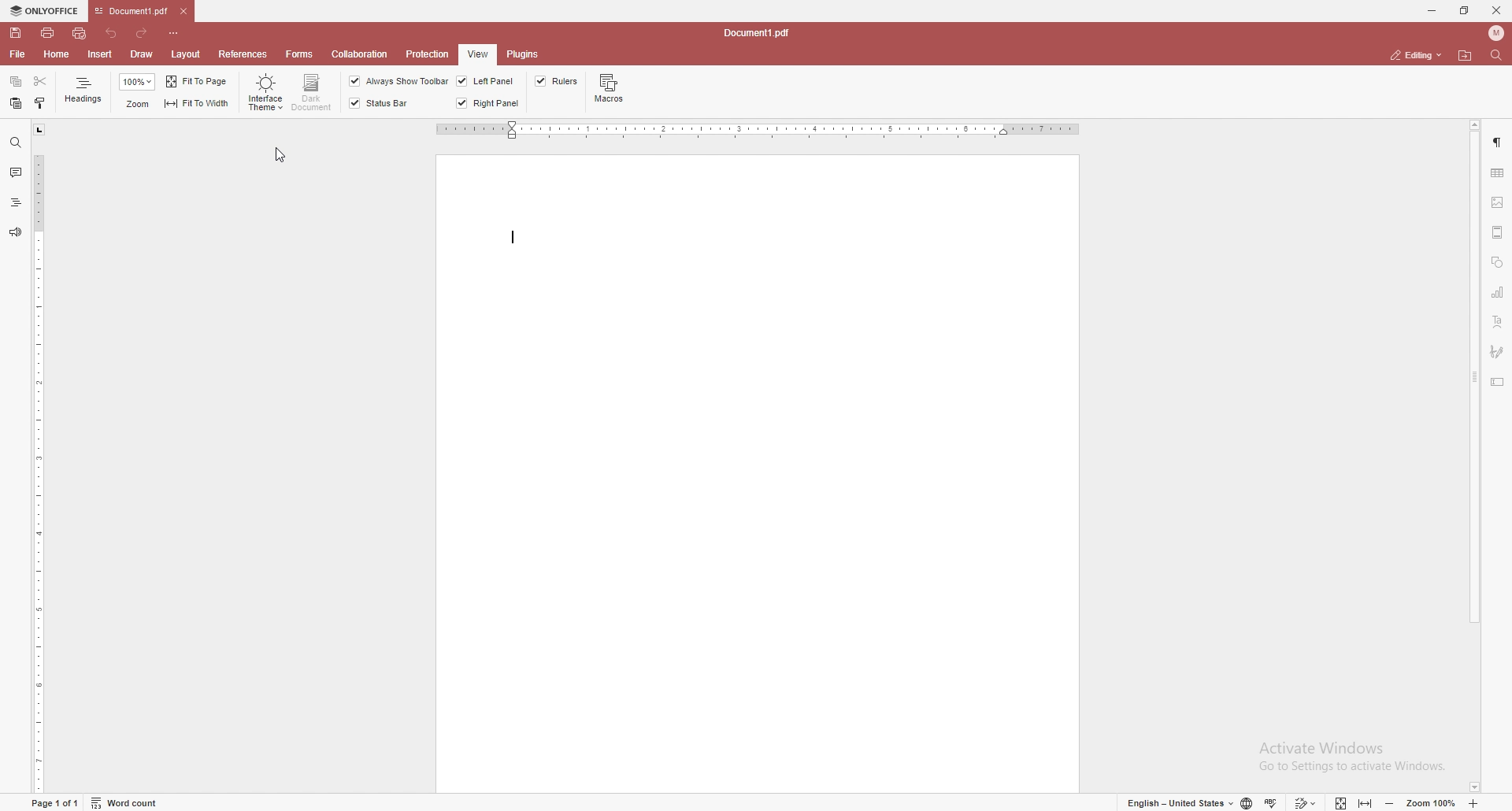 The width and height of the screenshot is (1512, 811). Describe the element at coordinates (16, 33) in the screenshot. I see `save` at that location.